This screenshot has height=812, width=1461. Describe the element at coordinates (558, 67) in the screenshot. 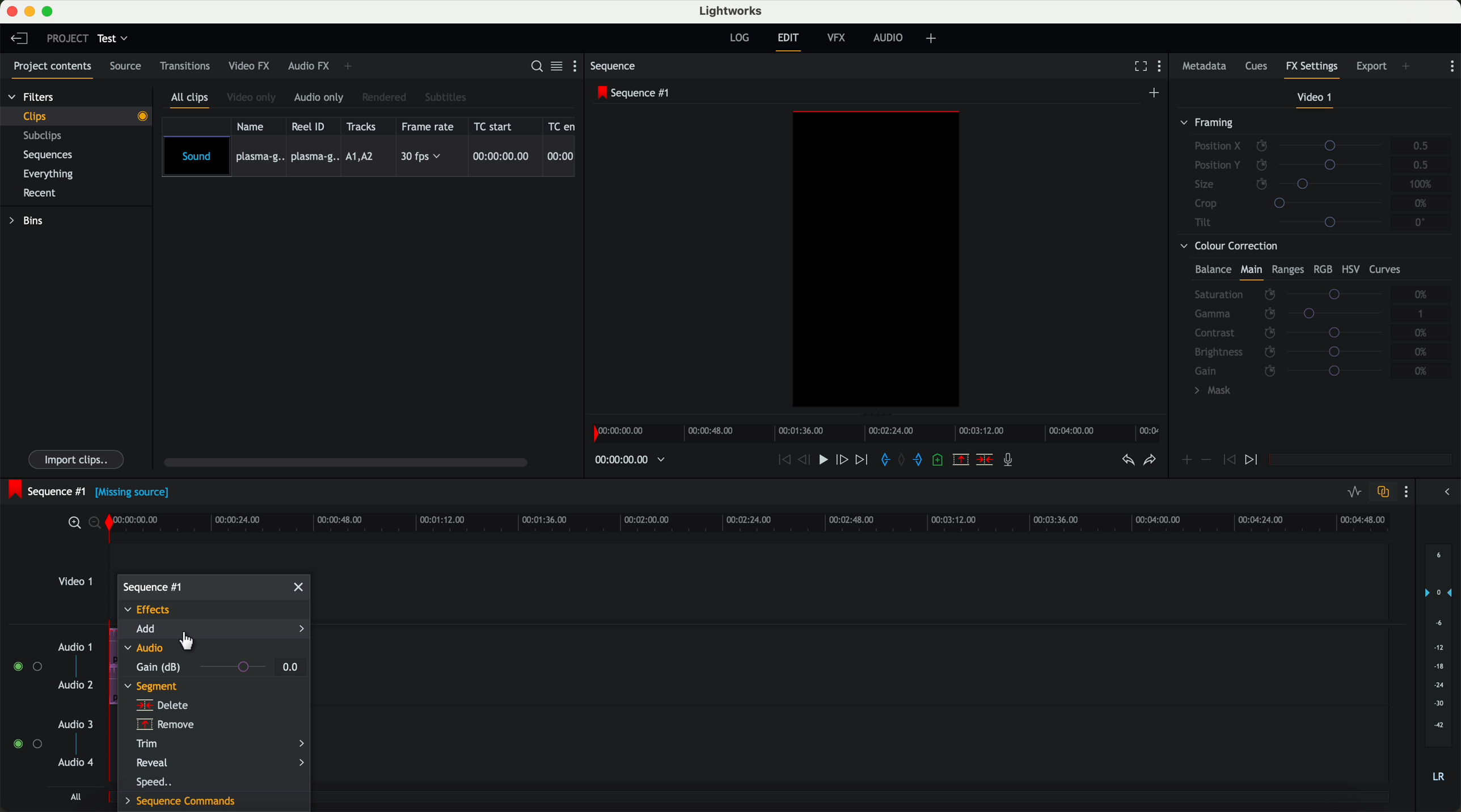

I see `toggle between list and toggle view` at that location.